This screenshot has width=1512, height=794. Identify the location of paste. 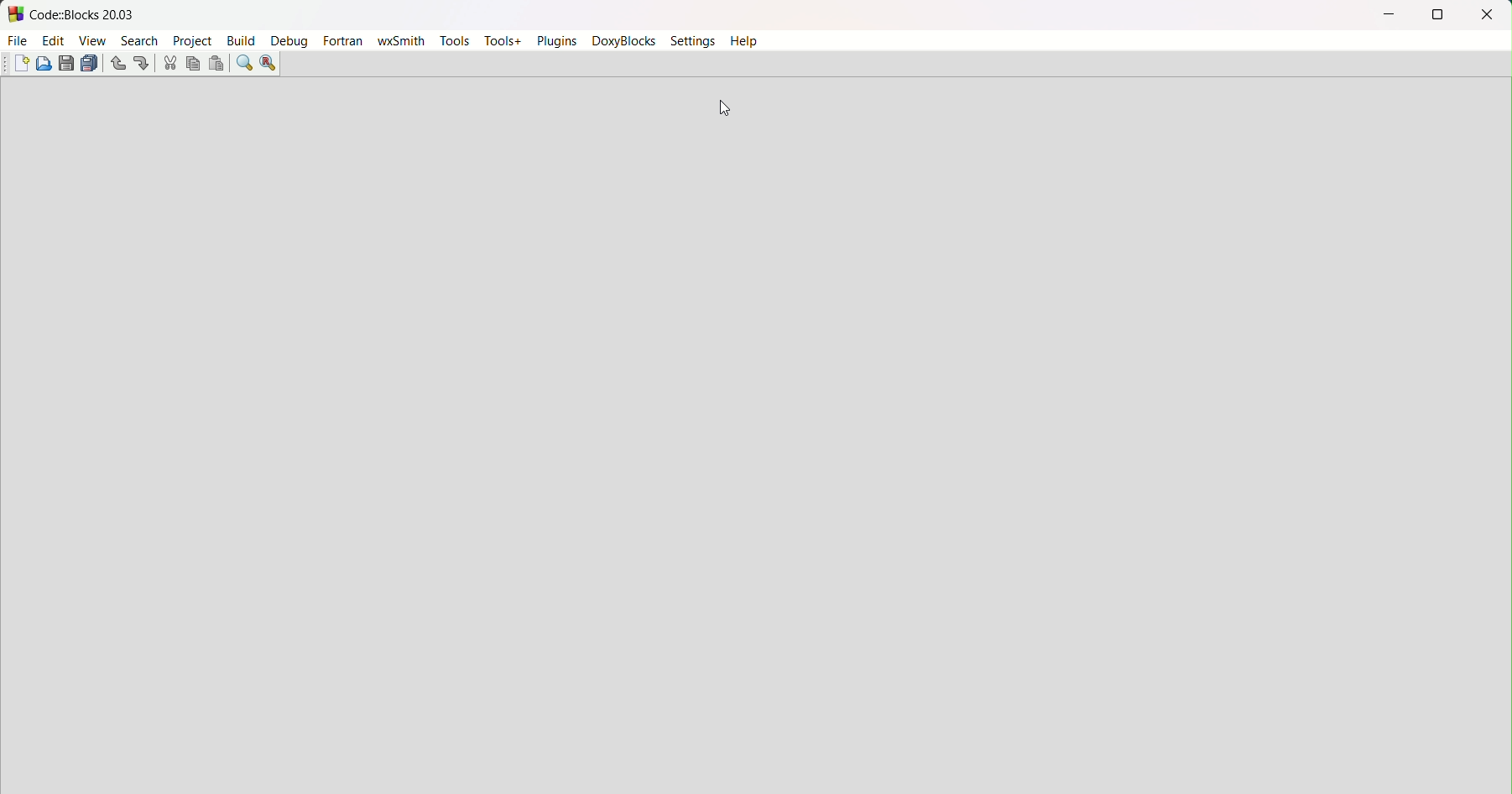
(215, 64).